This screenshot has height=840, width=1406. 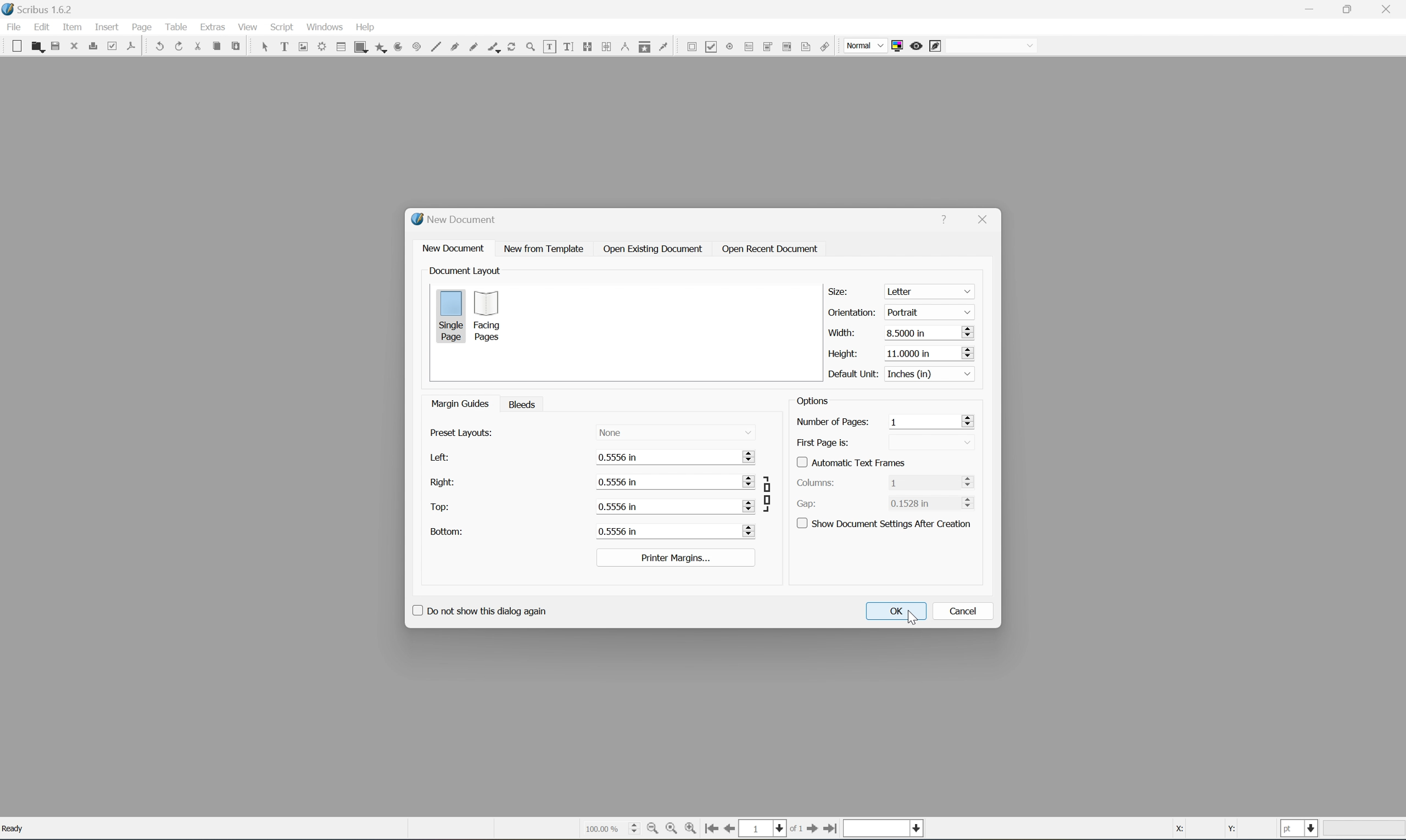 What do you see at coordinates (492, 315) in the screenshot?
I see `facing pages` at bounding box center [492, 315].